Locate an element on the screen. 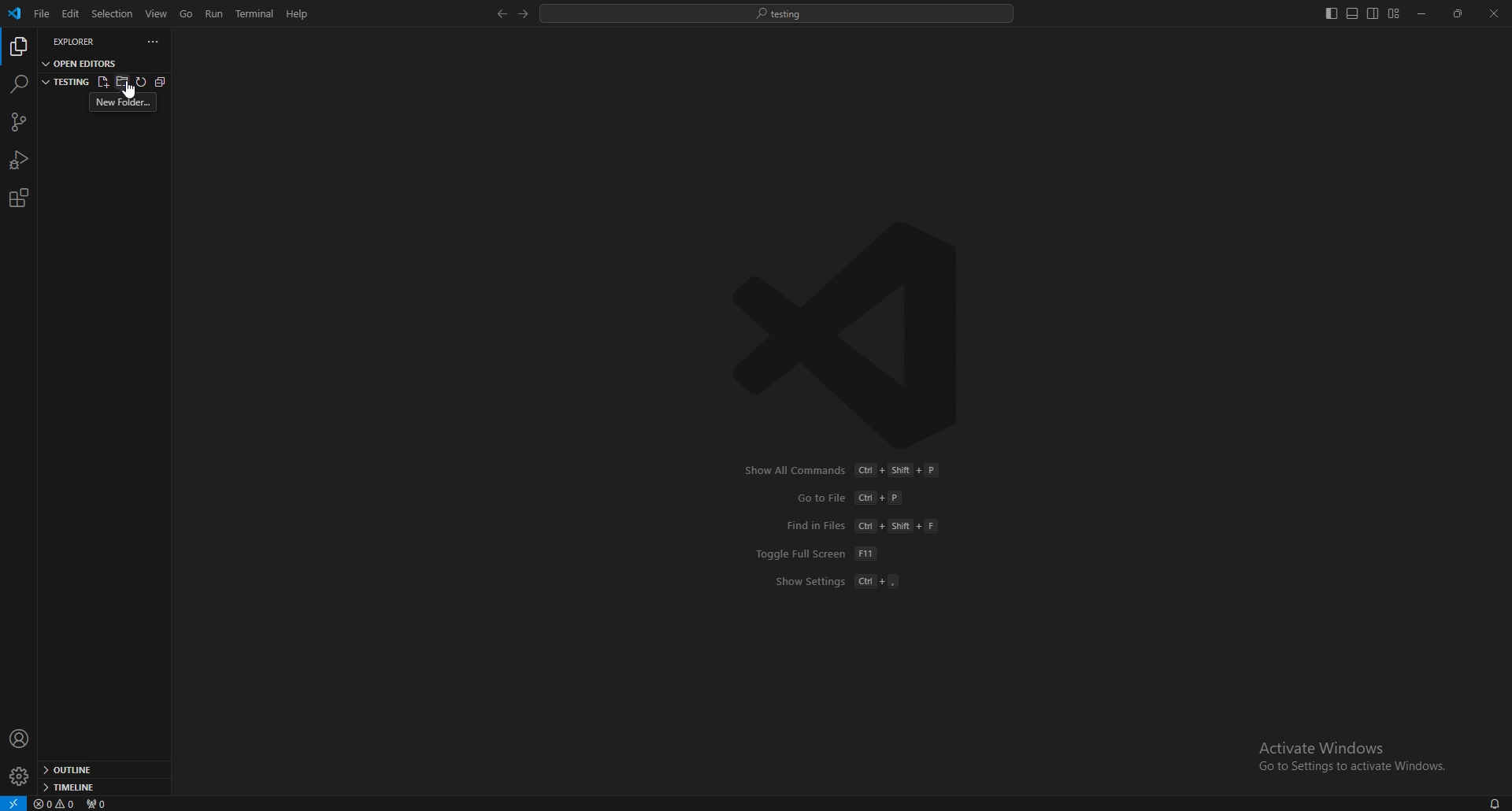 The height and width of the screenshot is (811, 1512). notification is located at coordinates (1493, 803).